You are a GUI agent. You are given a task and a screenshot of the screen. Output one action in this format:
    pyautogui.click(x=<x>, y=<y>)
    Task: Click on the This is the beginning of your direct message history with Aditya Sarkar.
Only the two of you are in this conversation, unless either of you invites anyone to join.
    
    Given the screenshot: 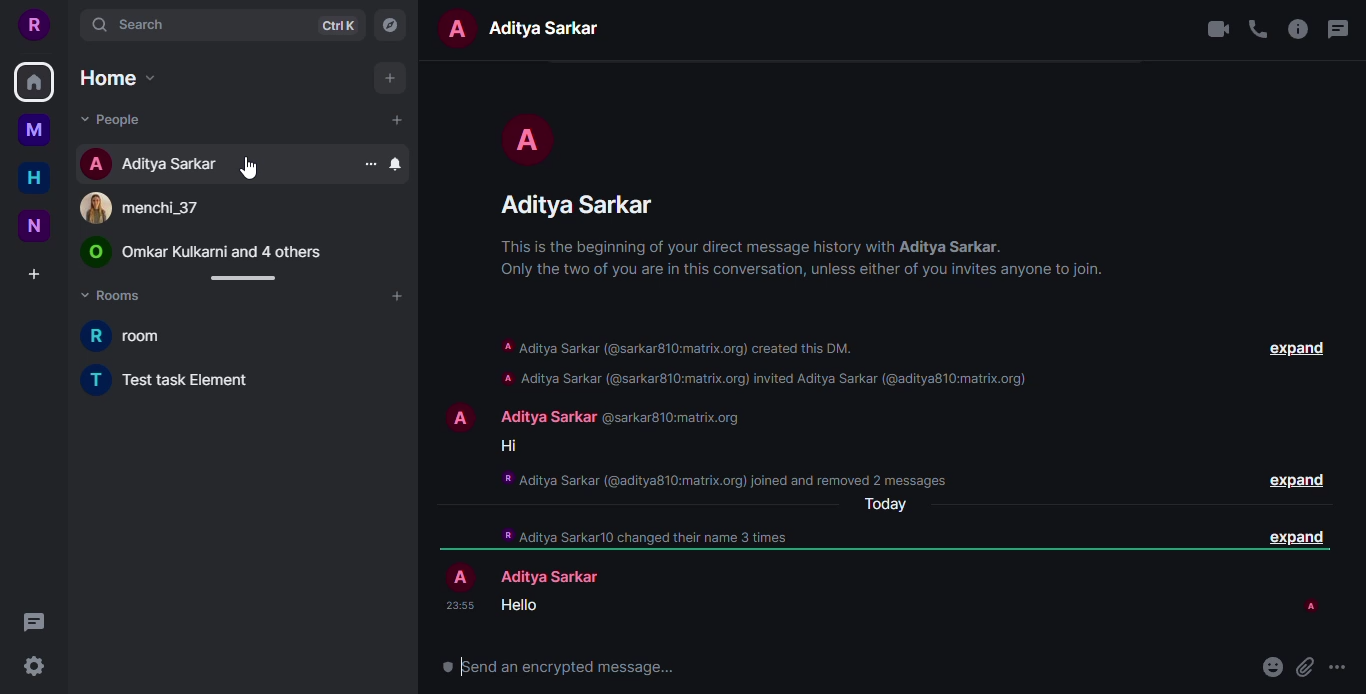 What is the action you would take?
    pyautogui.click(x=803, y=266)
    